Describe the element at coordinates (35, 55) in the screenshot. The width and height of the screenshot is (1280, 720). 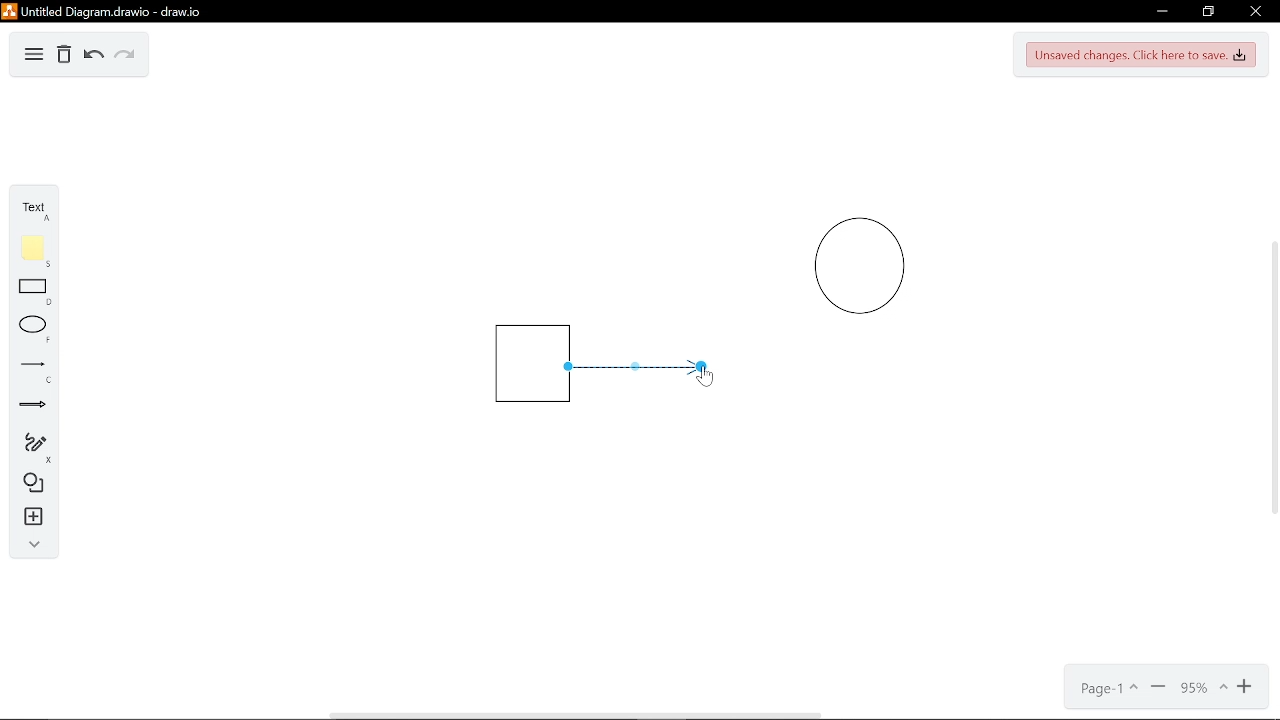
I see `Diagram` at that location.